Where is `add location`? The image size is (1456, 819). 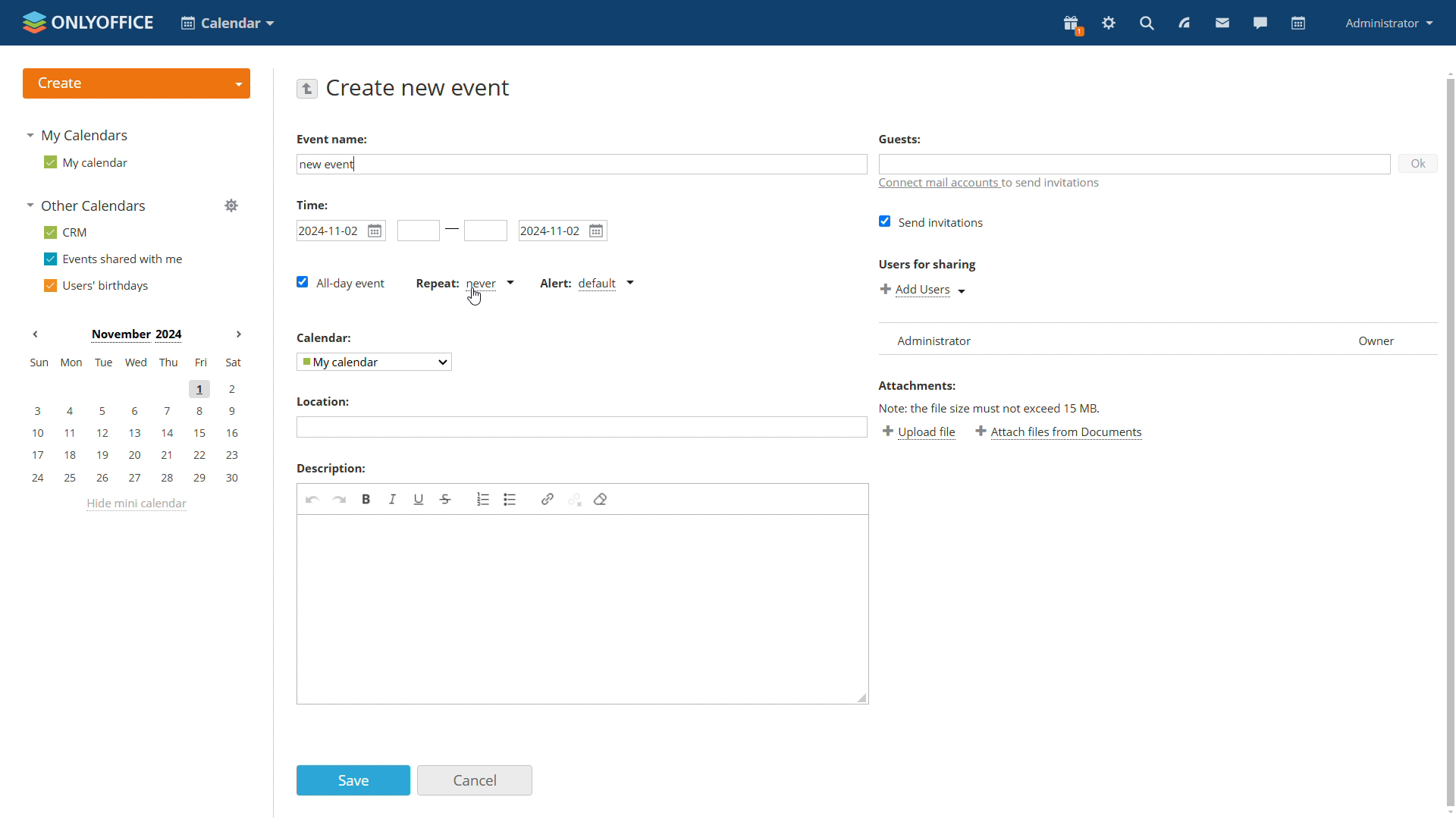 add location is located at coordinates (580, 426).